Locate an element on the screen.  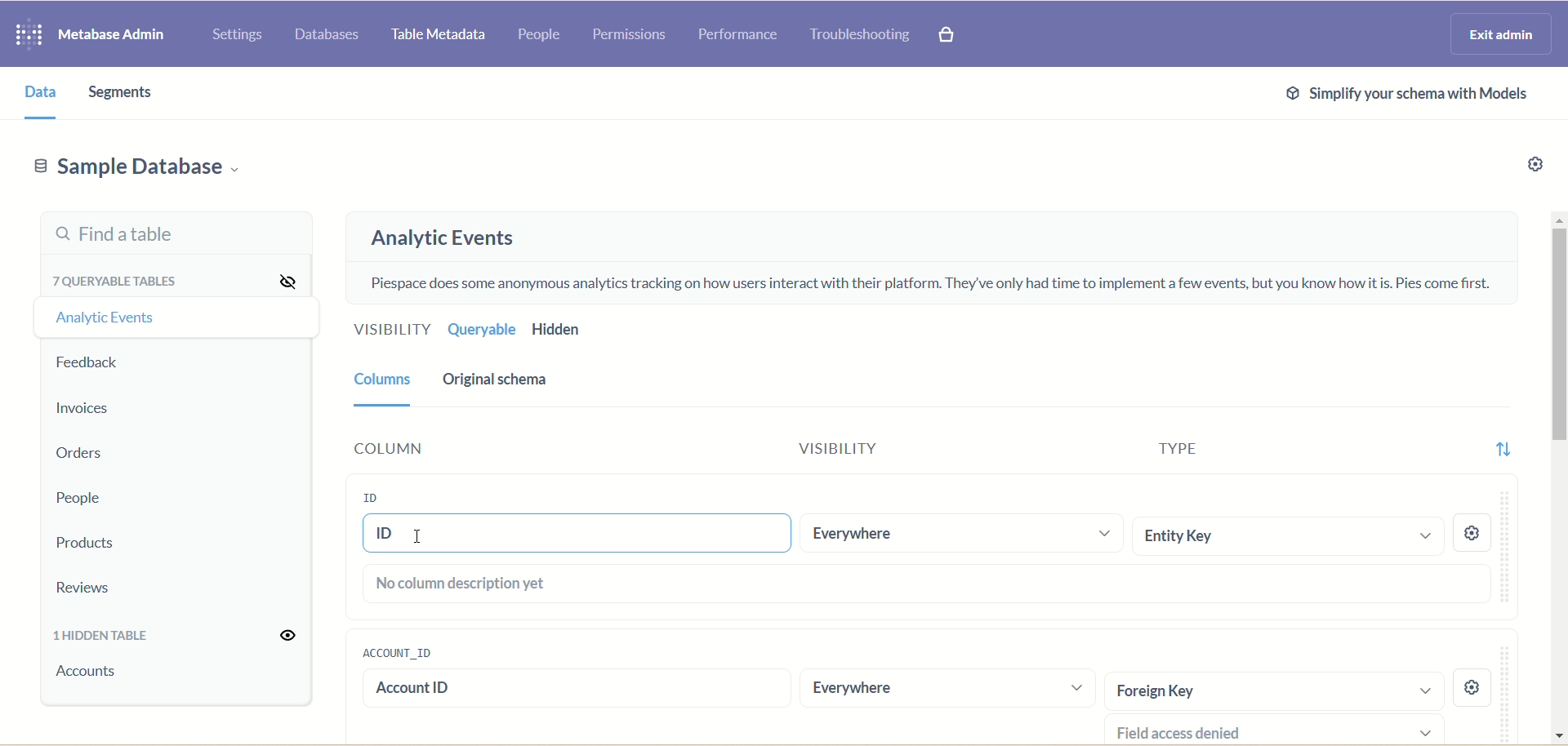
Troubleshooting is located at coordinates (863, 36).